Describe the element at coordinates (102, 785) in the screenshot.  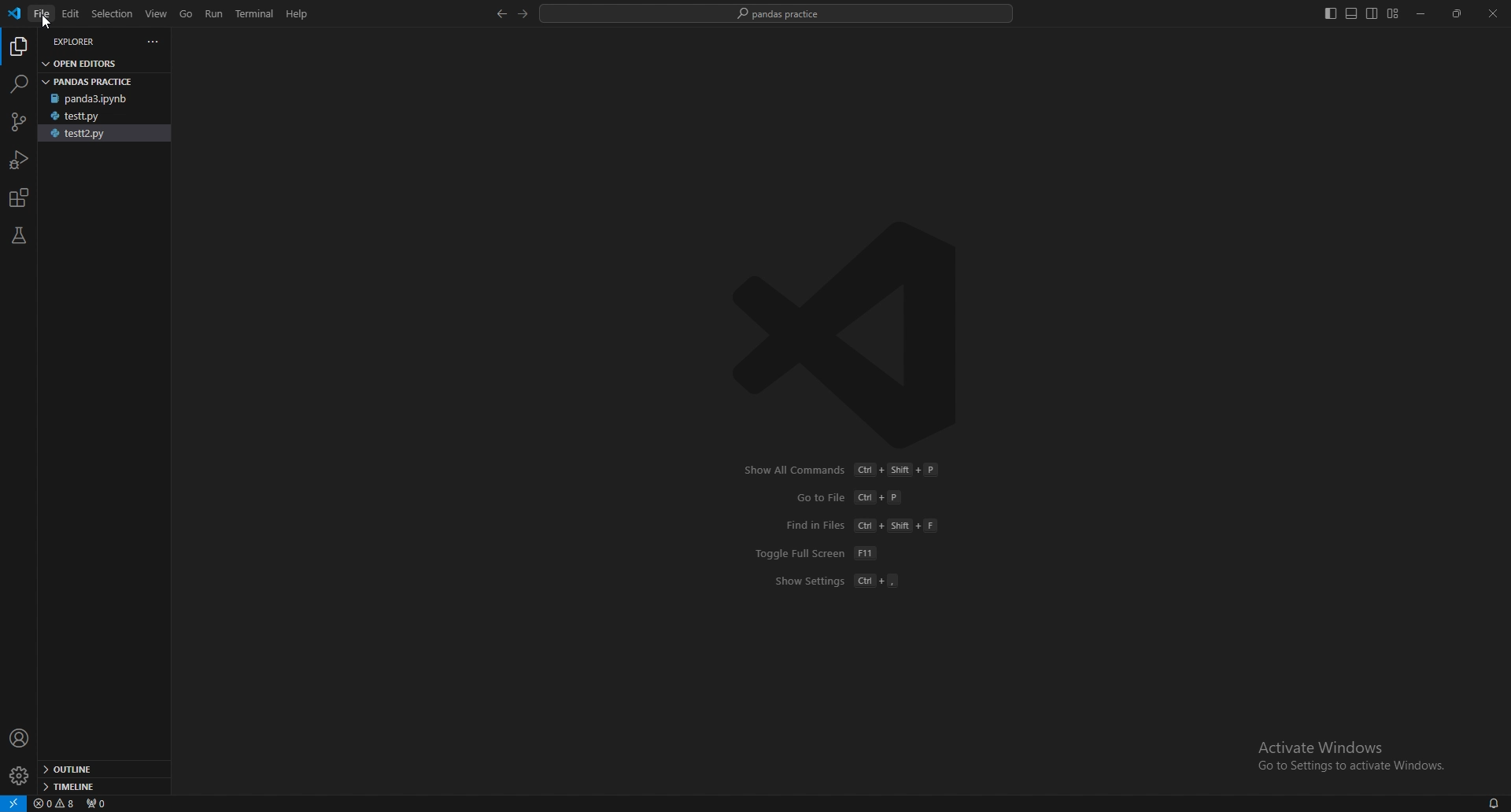
I see `timeline` at that location.